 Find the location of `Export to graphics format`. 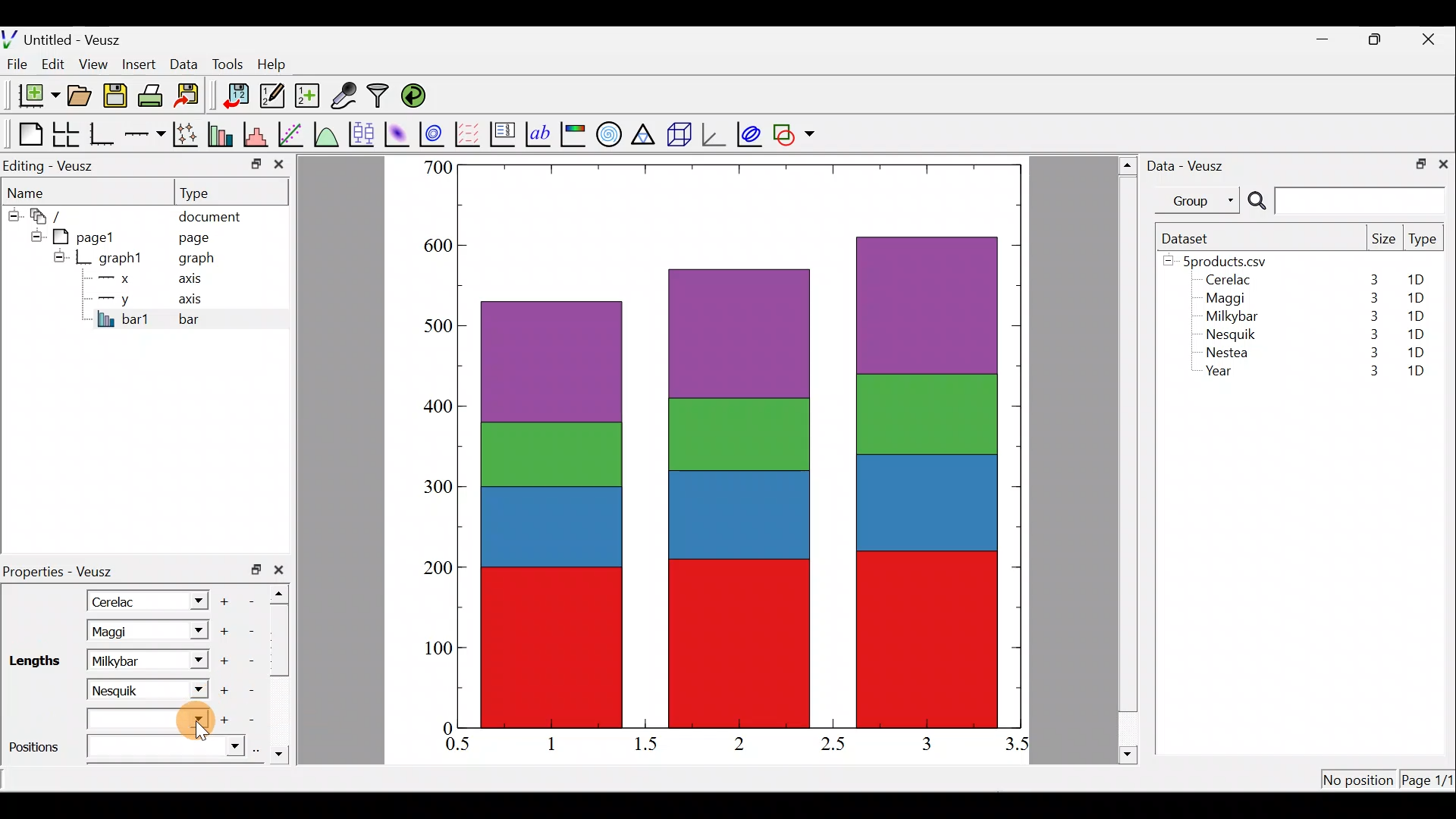

Export to graphics format is located at coordinates (192, 96).